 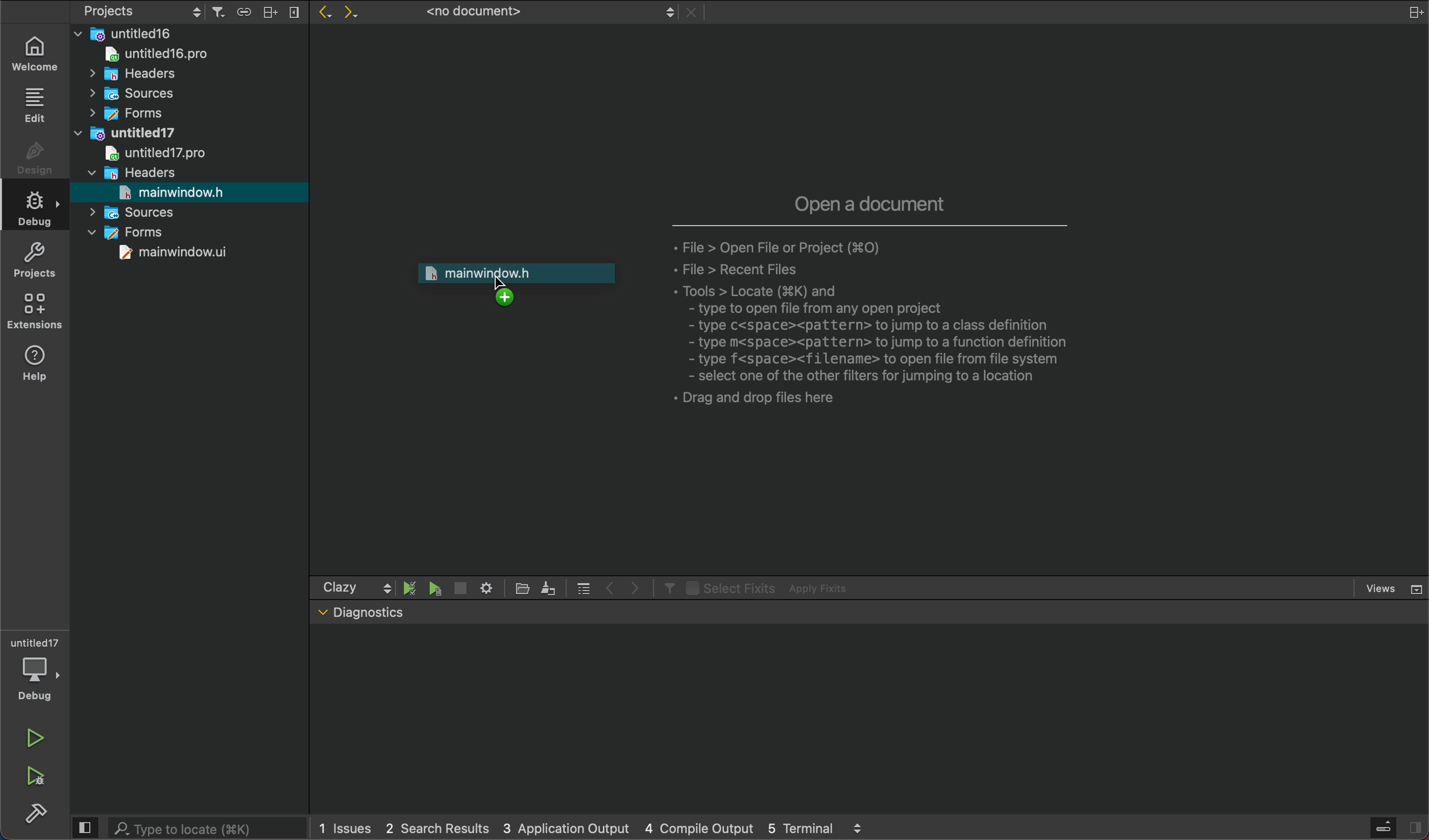 What do you see at coordinates (132, 233) in the screenshot?
I see `Forms` at bounding box center [132, 233].